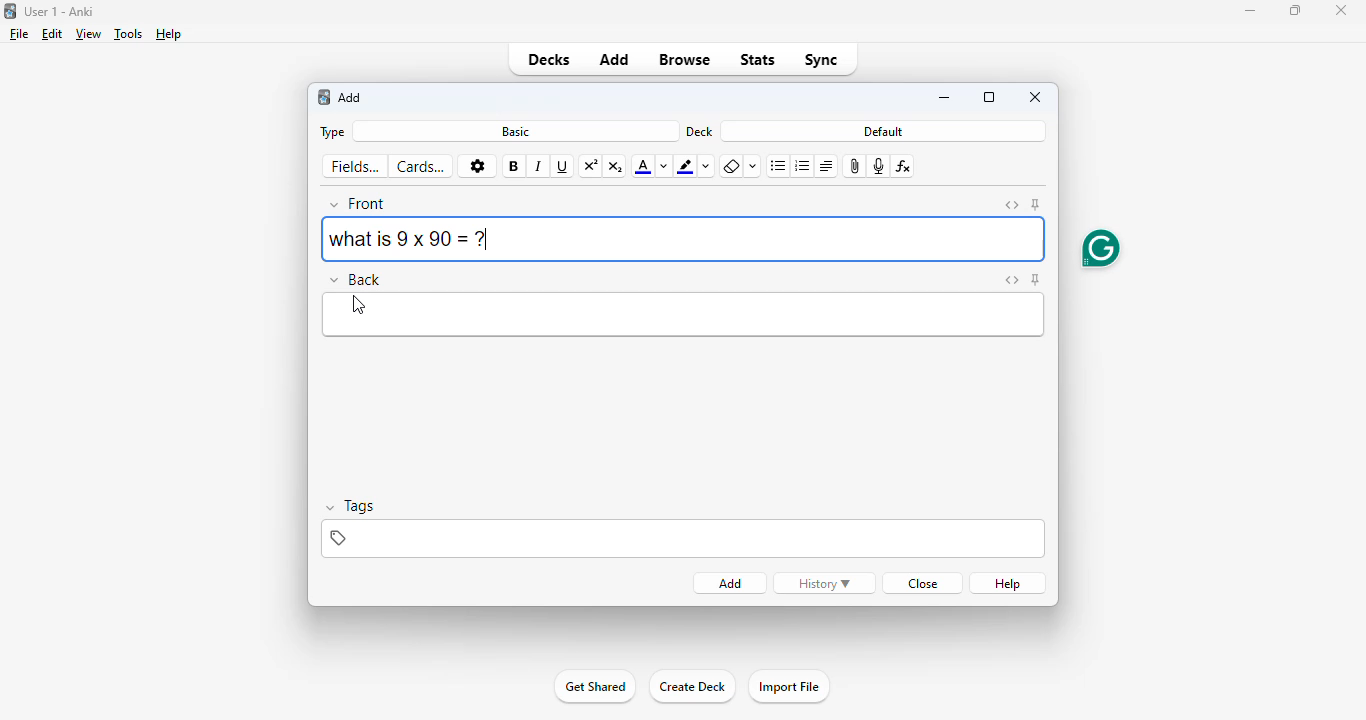 This screenshot has height=720, width=1366. I want to click on equations, so click(905, 166).